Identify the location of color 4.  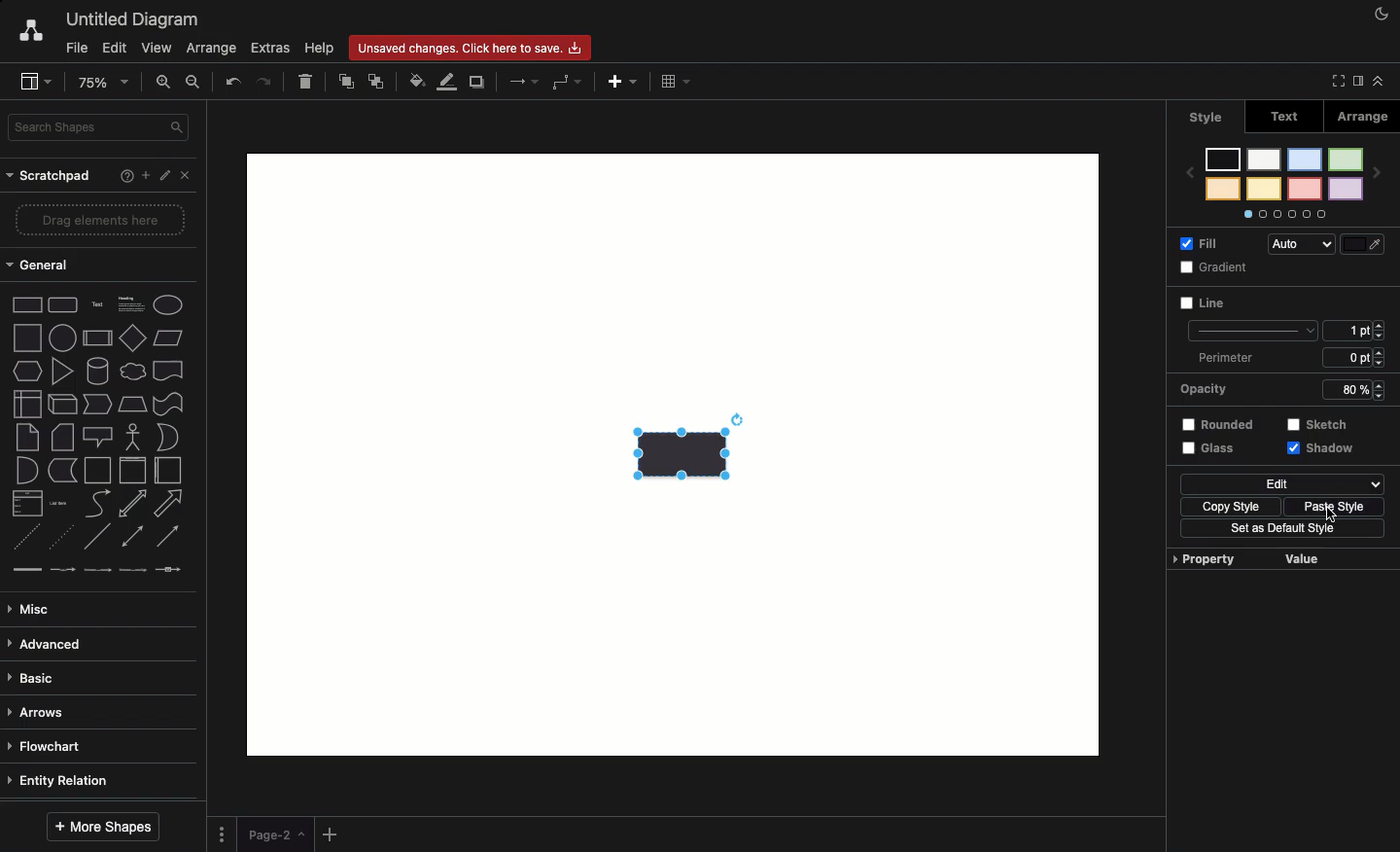
(1304, 190).